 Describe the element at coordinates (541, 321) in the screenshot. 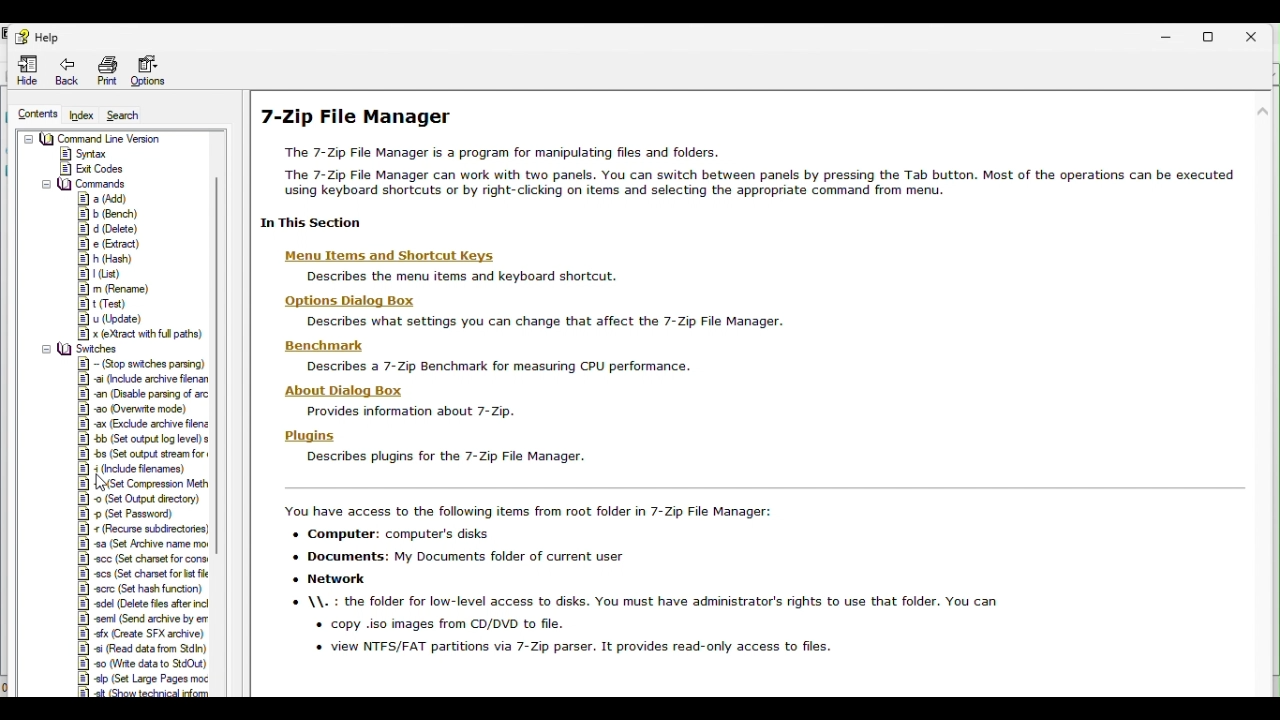

I see `description text` at that location.